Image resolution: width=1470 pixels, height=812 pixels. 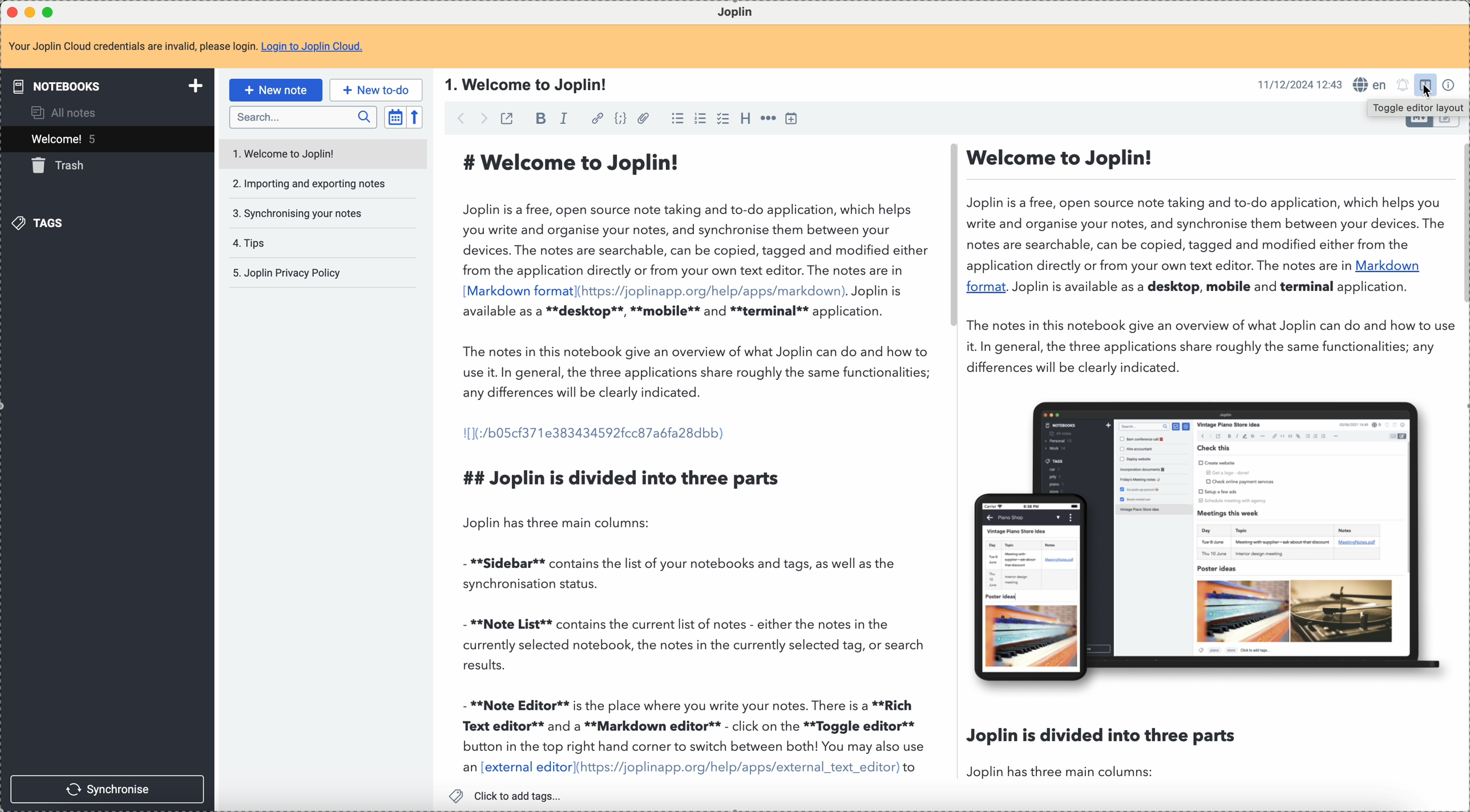 I want to click on Joplin is divided into three parts, so click(x=1104, y=732).